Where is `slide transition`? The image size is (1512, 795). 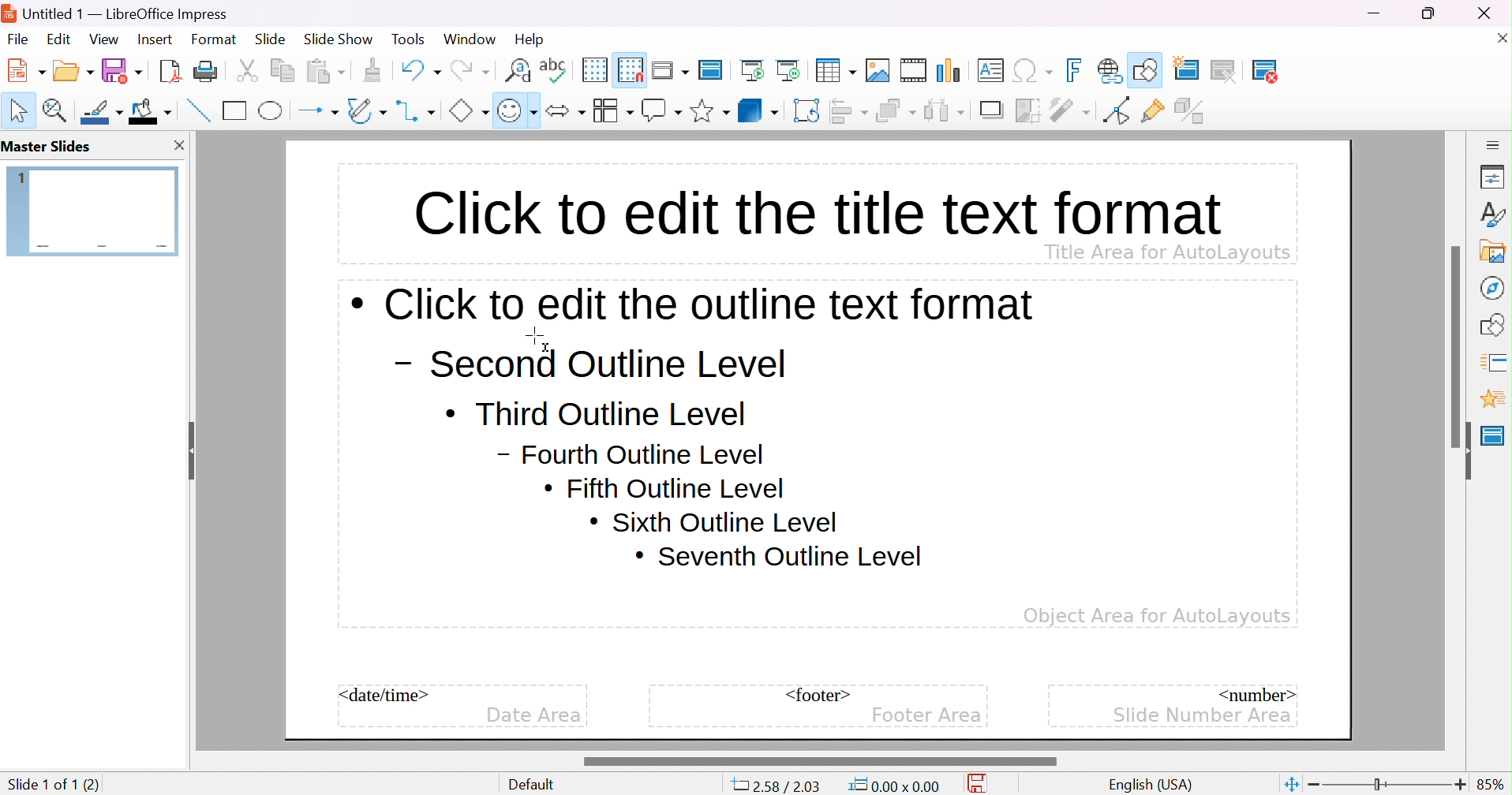
slide transition is located at coordinates (1496, 360).